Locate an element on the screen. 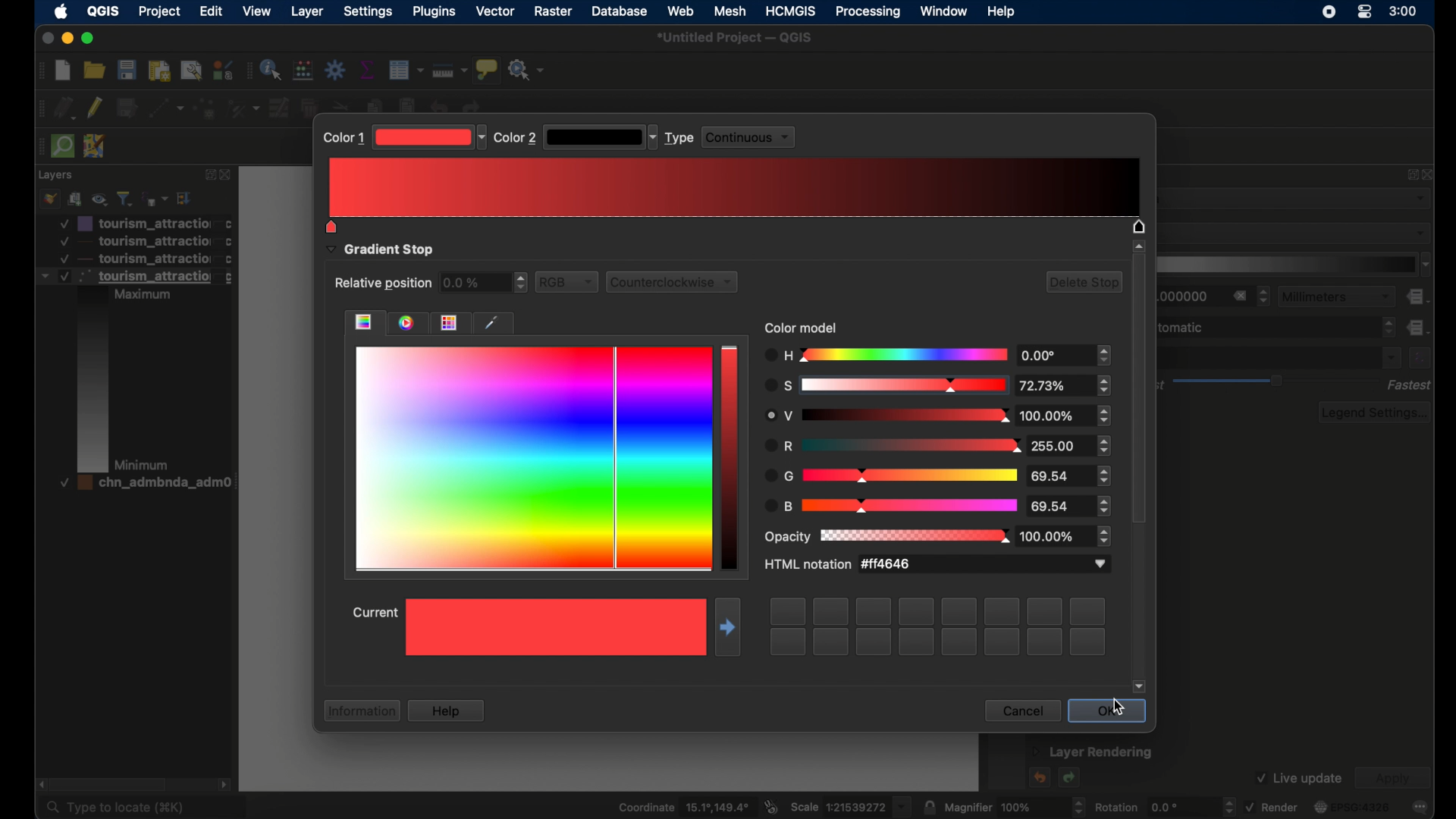 This screenshot has height=819, width=1456. manage map theme is located at coordinates (100, 199).